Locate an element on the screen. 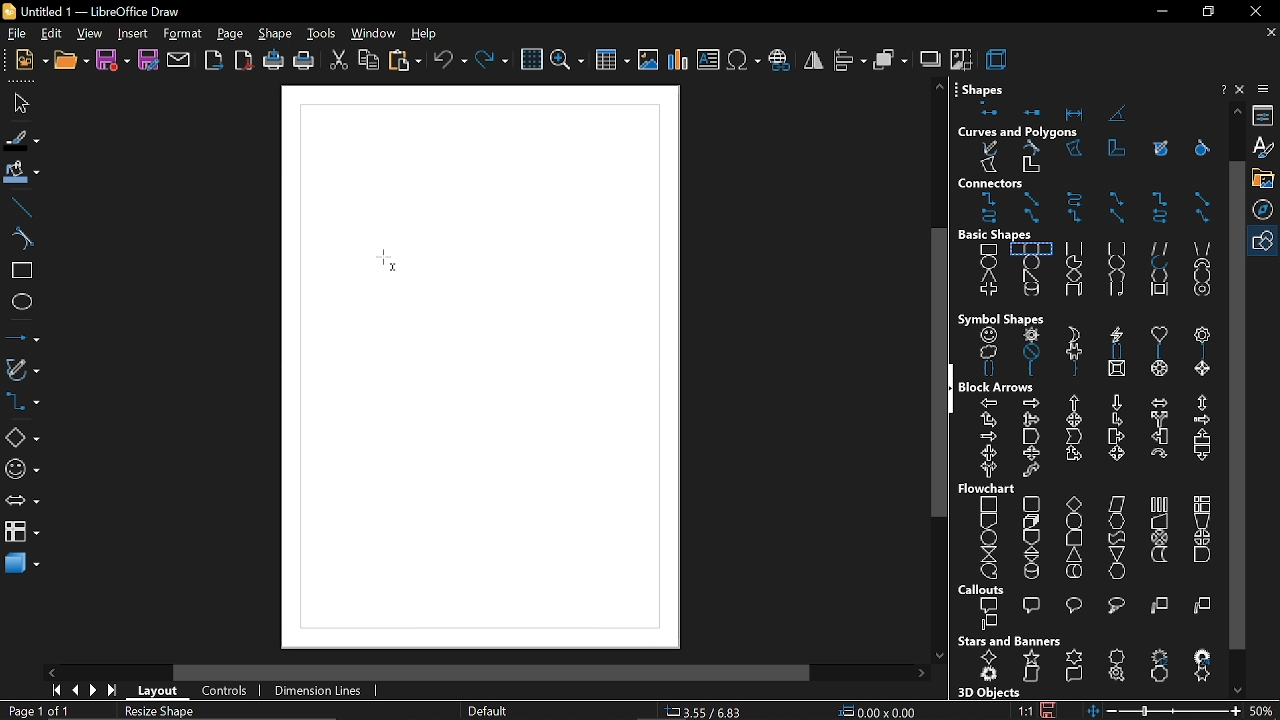 Image resolution: width=1280 pixels, height=720 pixels. styles is located at coordinates (1265, 148).